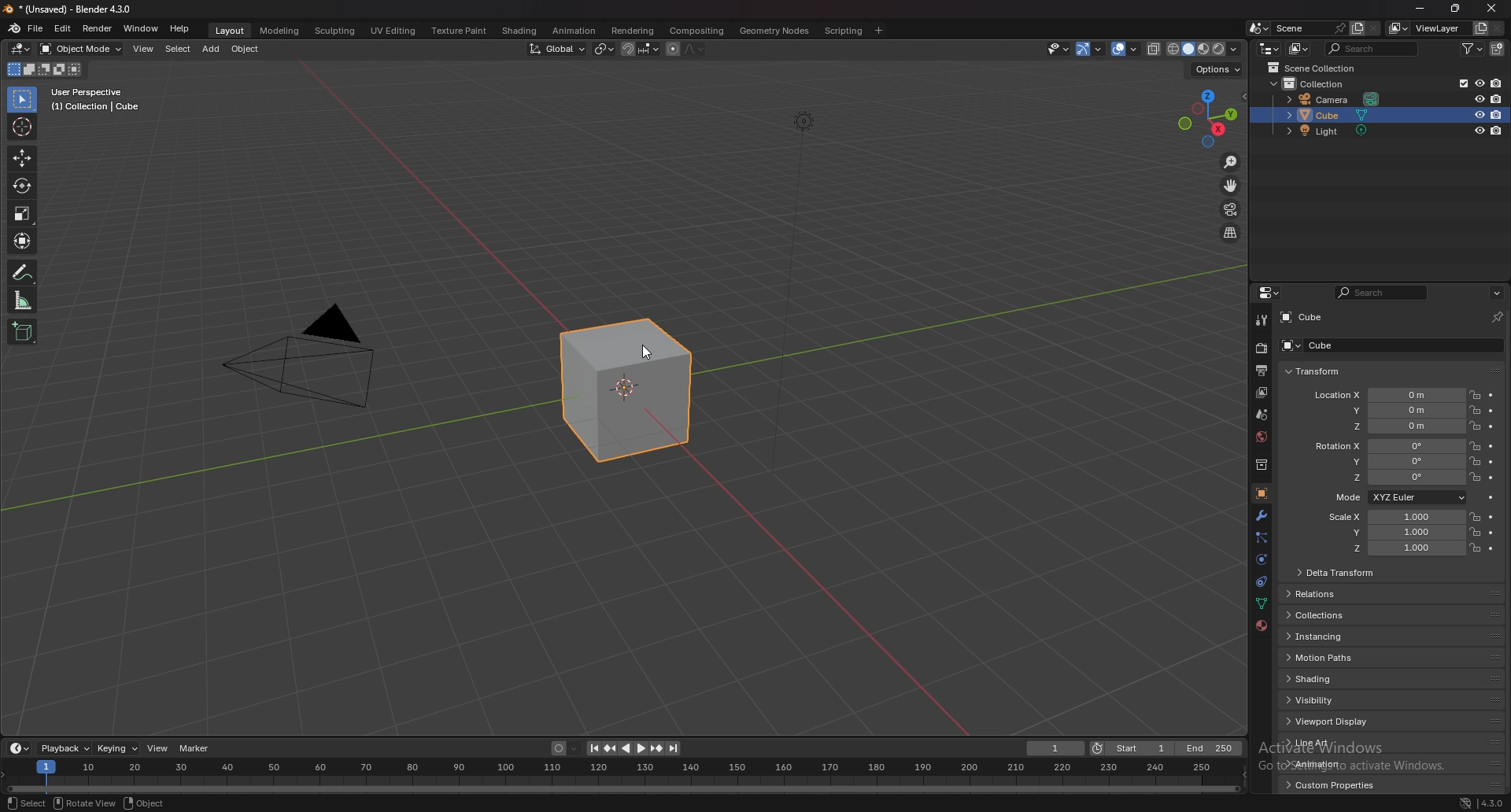  What do you see at coordinates (1335, 99) in the screenshot?
I see `camera` at bounding box center [1335, 99].